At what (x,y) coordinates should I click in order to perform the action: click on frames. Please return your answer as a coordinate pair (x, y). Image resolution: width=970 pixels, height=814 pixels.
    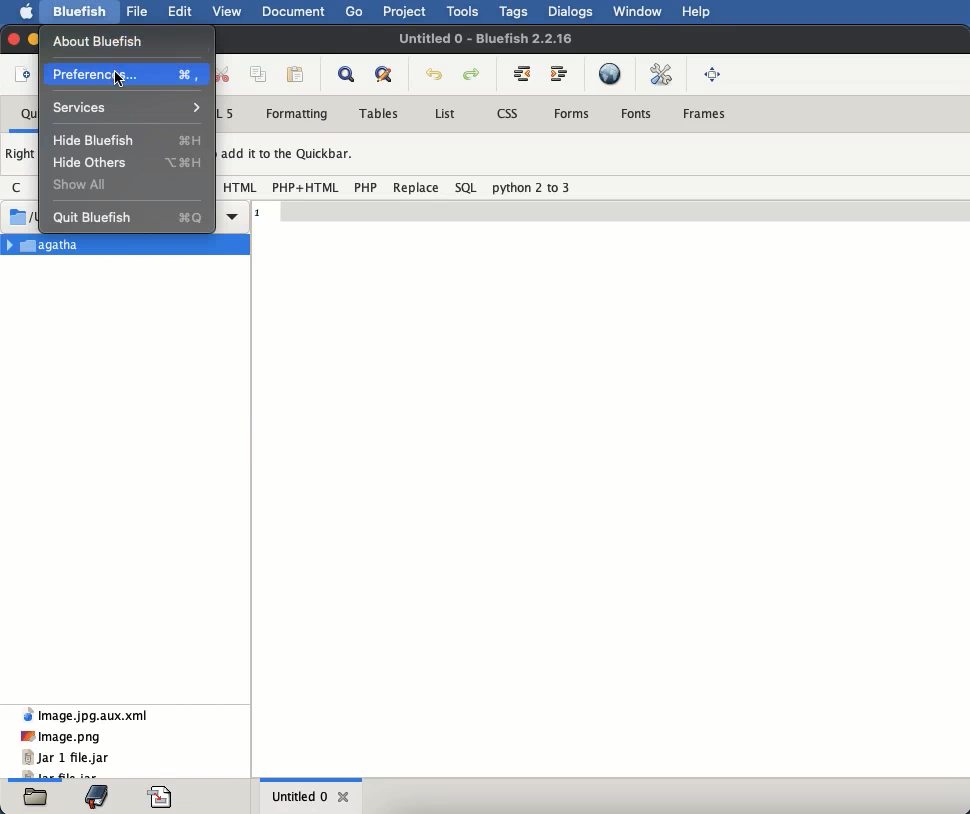
    Looking at the image, I should click on (703, 111).